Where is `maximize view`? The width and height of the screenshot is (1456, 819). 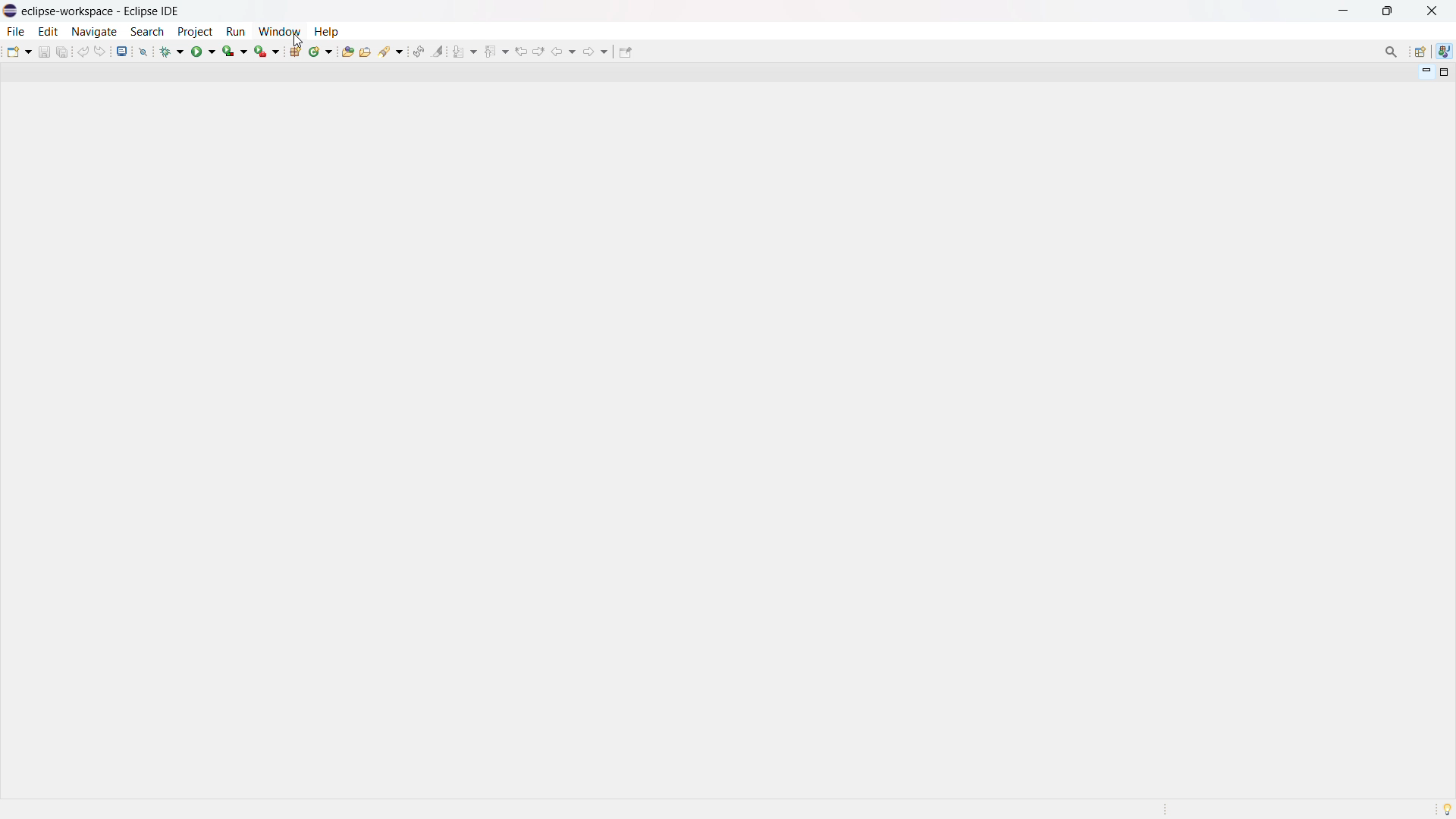 maximize view is located at coordinates (1445, 72).